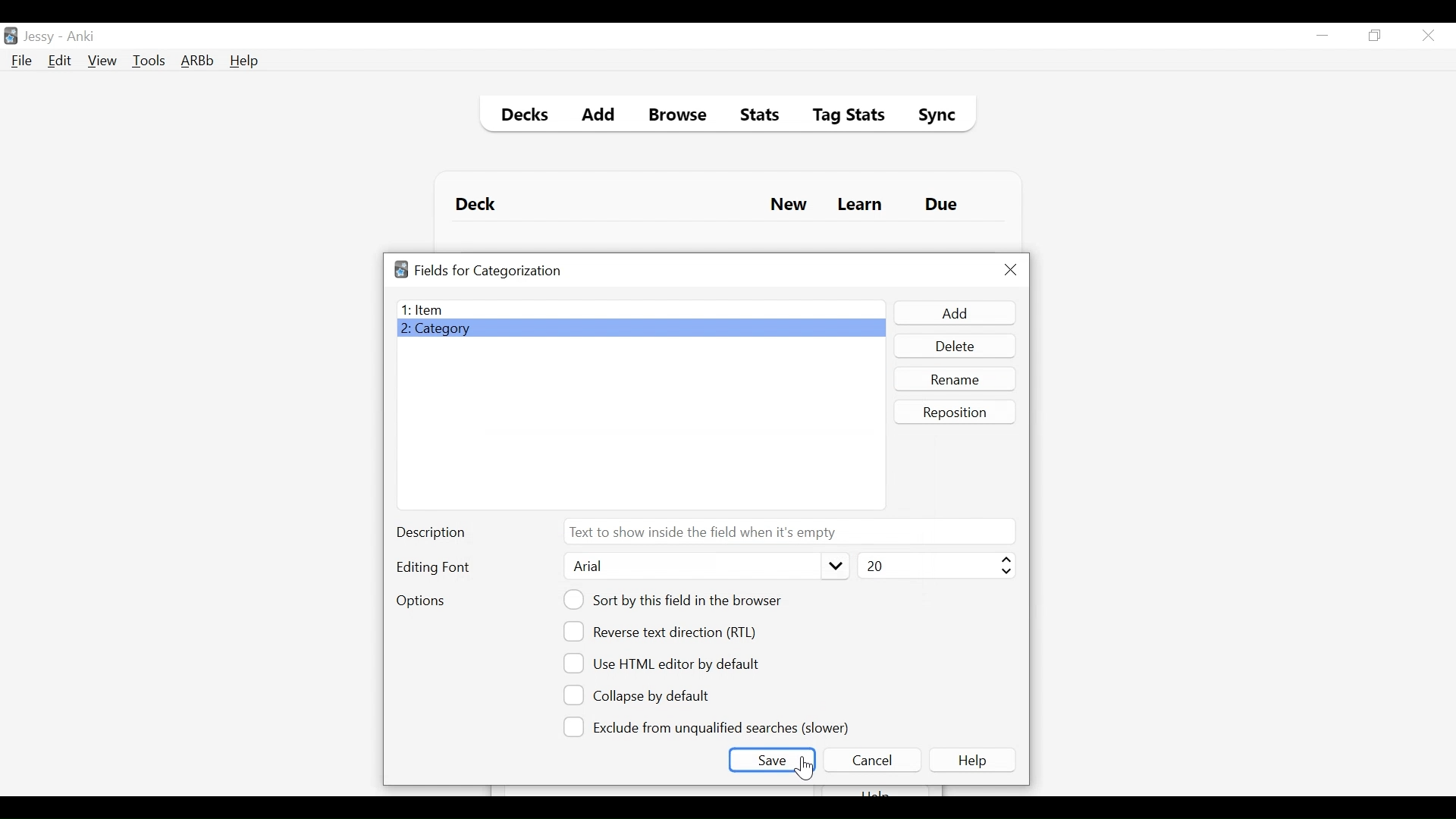 The height and width of the screenshot is (819, 1456). I want to click on Help, so click(243, 62).